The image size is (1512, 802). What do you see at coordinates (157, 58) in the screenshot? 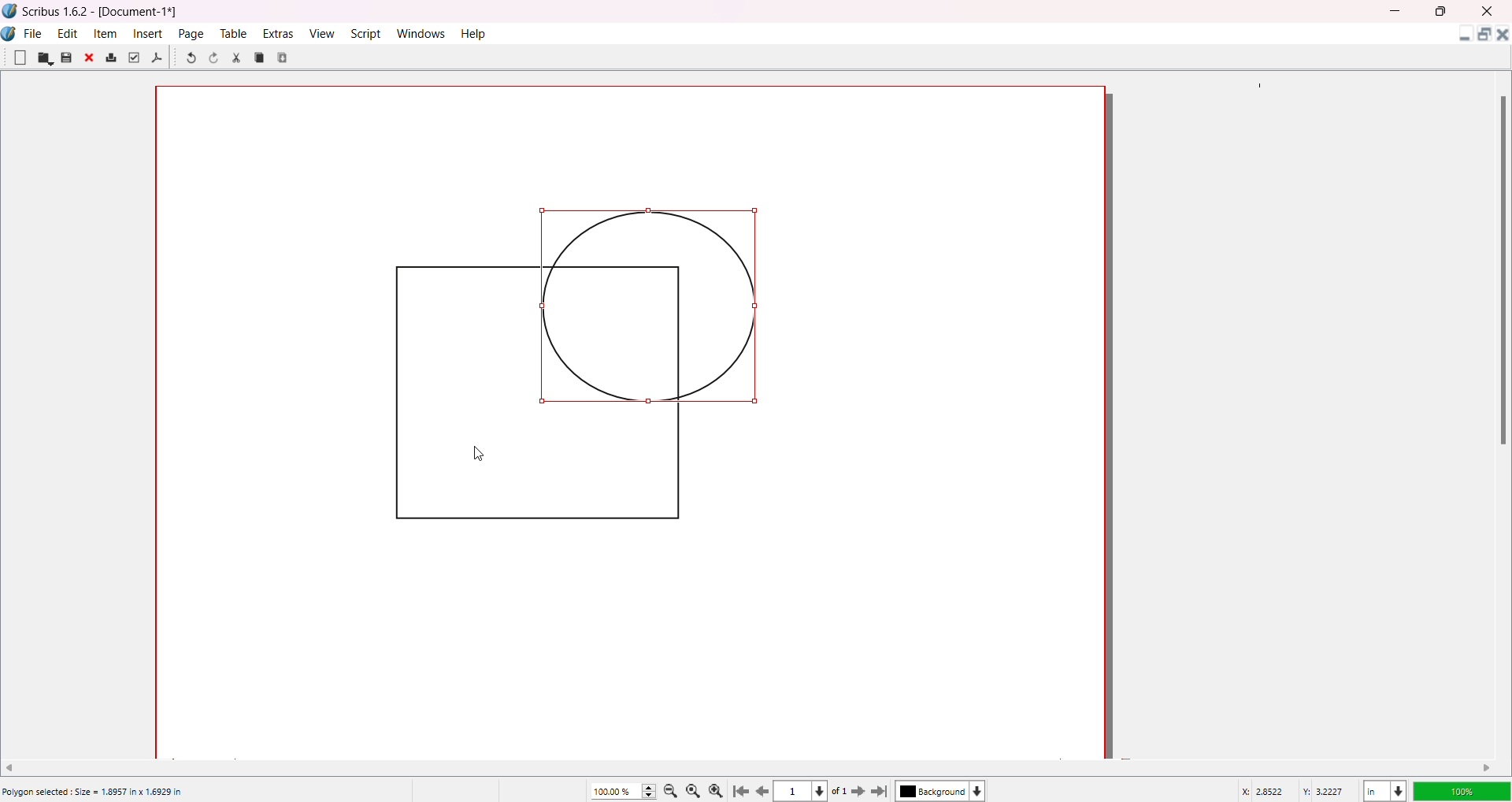
I see `Save as PDF` at bounding box center [157, 58].